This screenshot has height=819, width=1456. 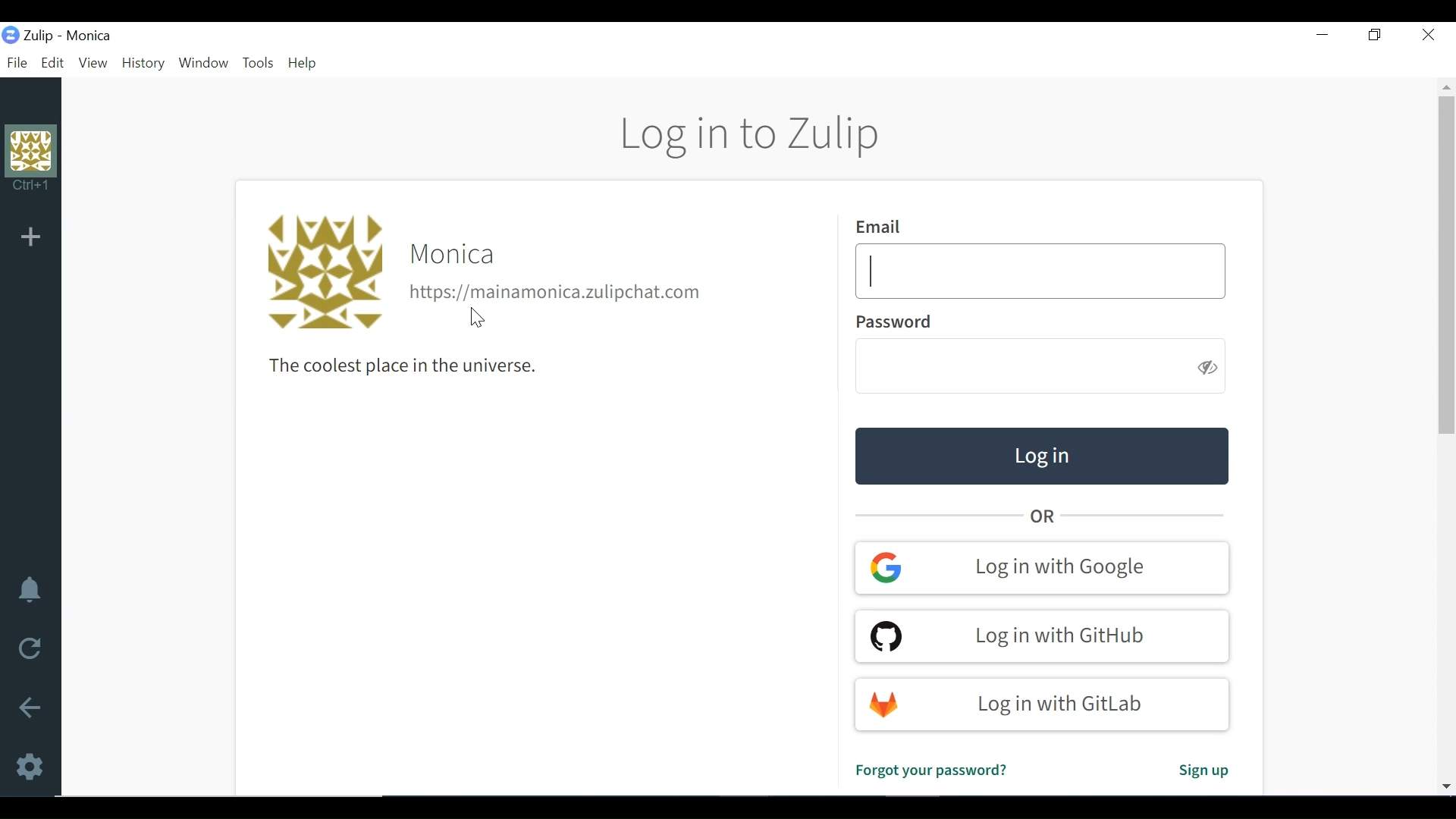 I want to click on Help, so click(x=306, y=64).